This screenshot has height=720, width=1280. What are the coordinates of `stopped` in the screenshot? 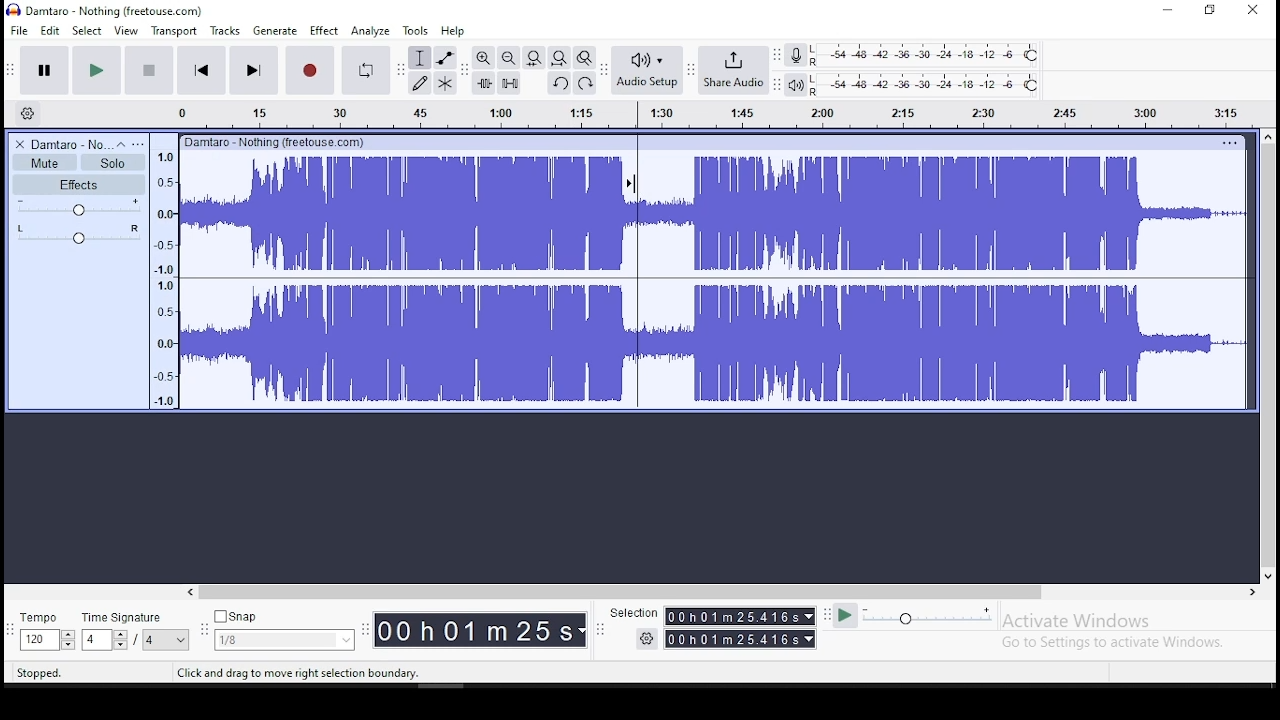 It's located at (35, 673).